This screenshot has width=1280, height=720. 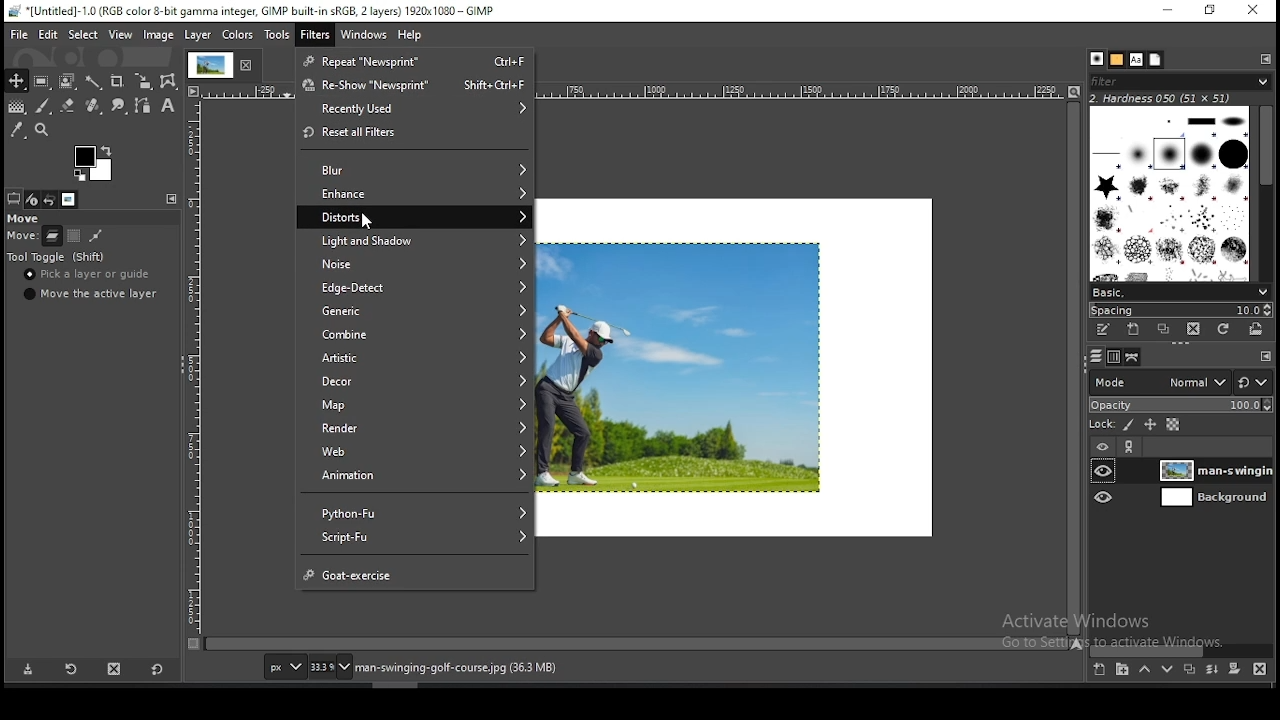 I want to click on images, so click(x=66, y=199).